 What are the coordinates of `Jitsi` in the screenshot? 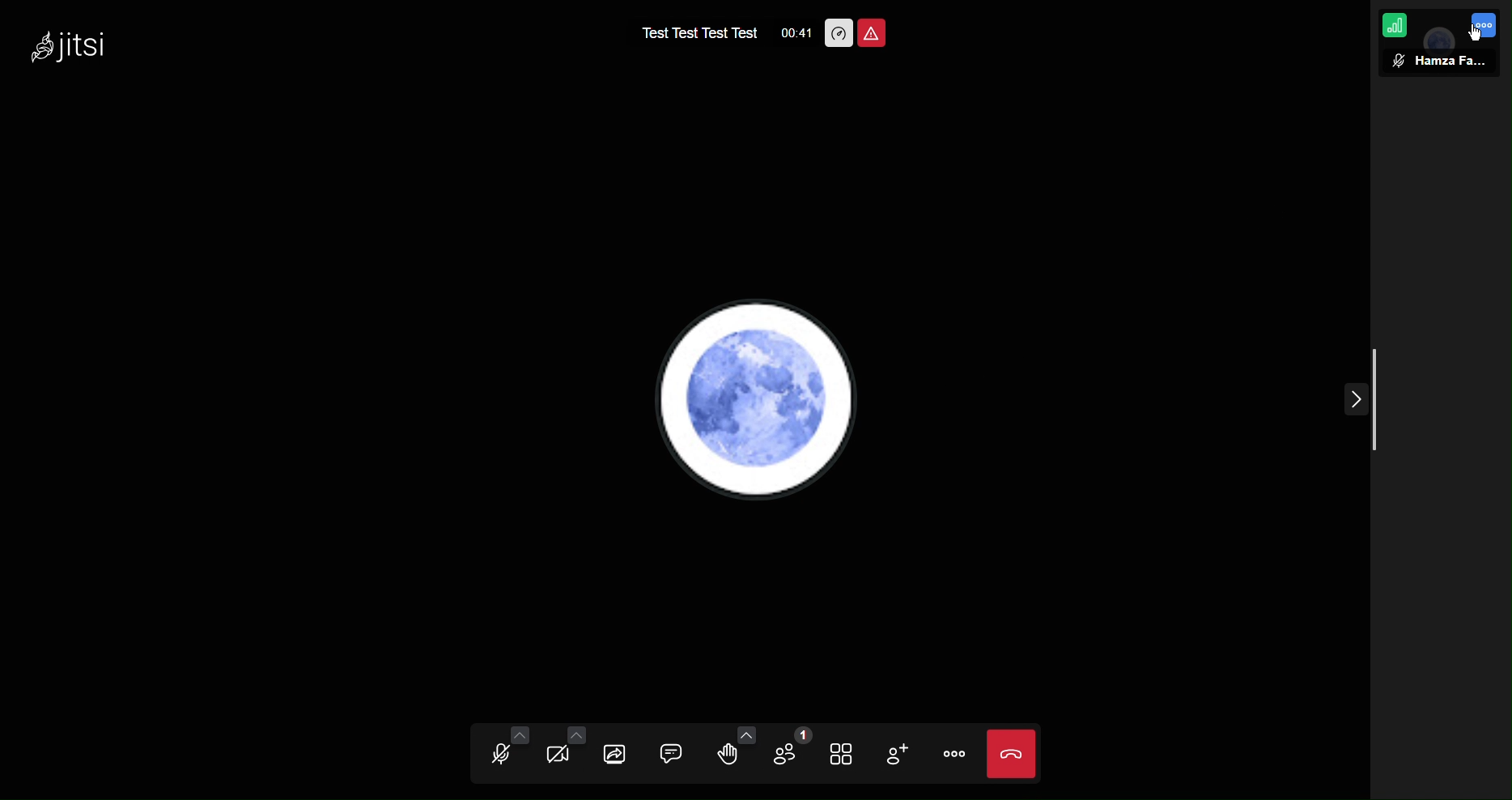 It's located at (71, 46).